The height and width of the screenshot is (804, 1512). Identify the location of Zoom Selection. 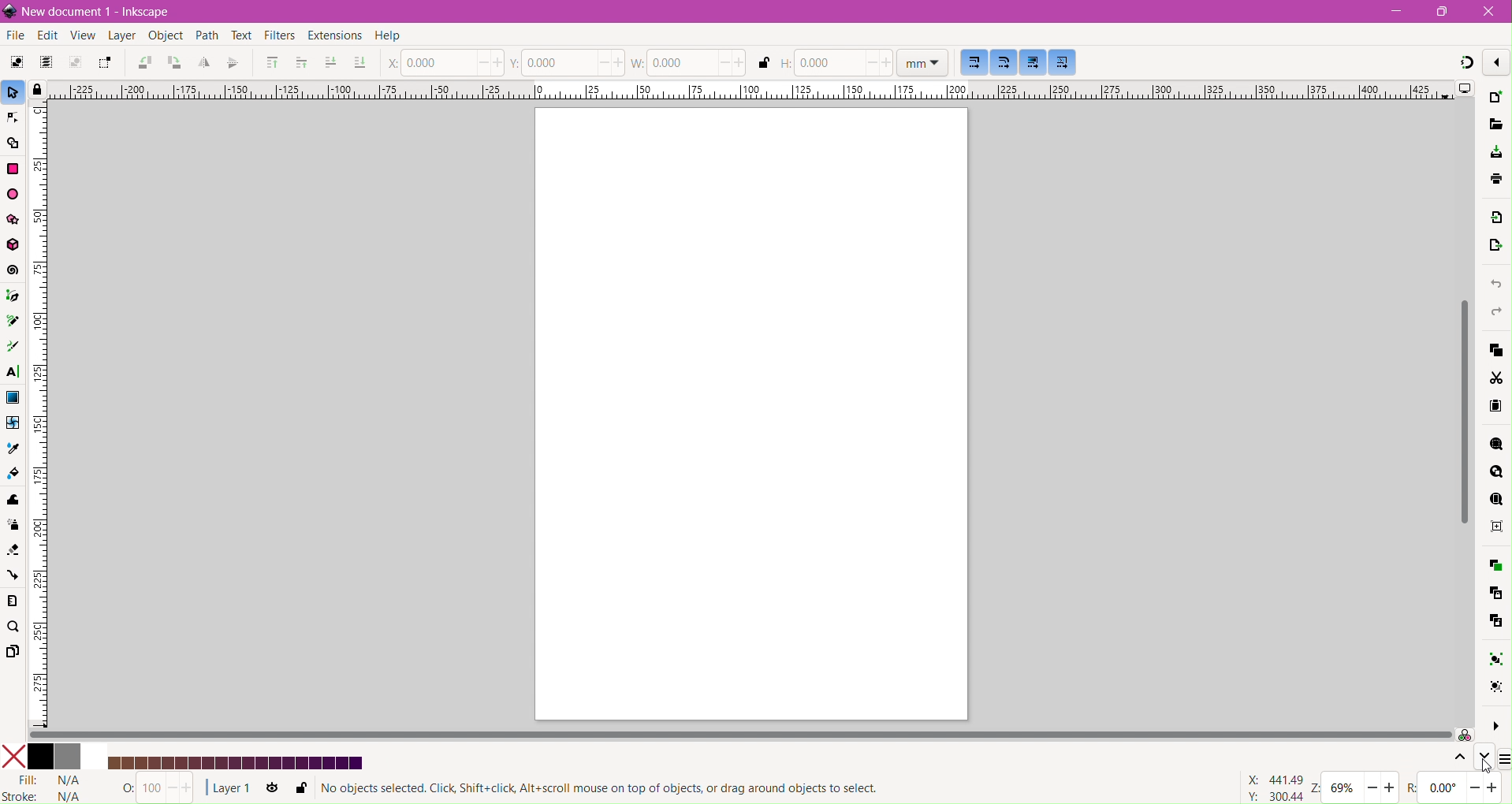
(1494, 445).